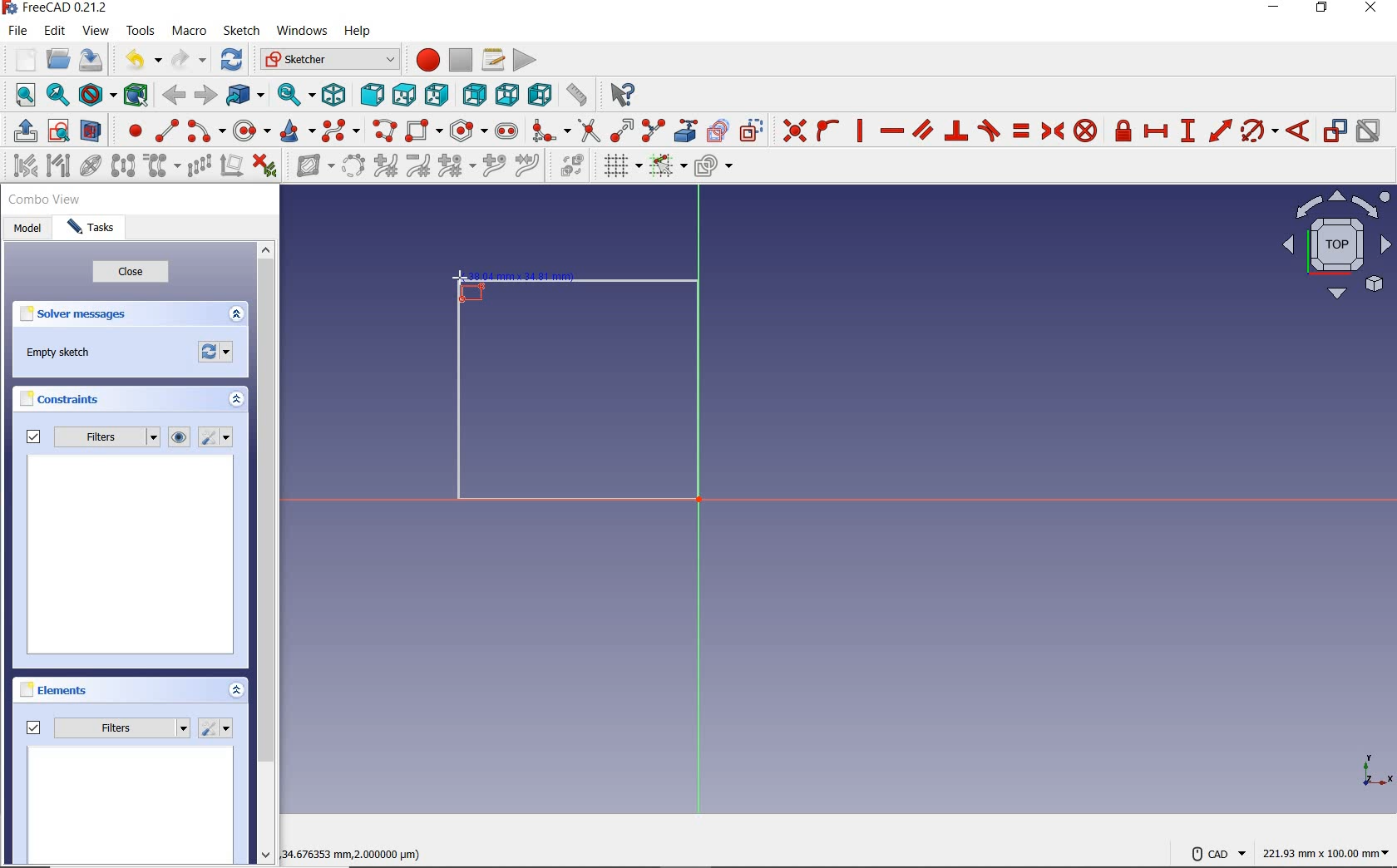  What do you see at coordinates (466, 131) in the screenshot?
I see `create regular polygon` at bounding box center [466, 131].